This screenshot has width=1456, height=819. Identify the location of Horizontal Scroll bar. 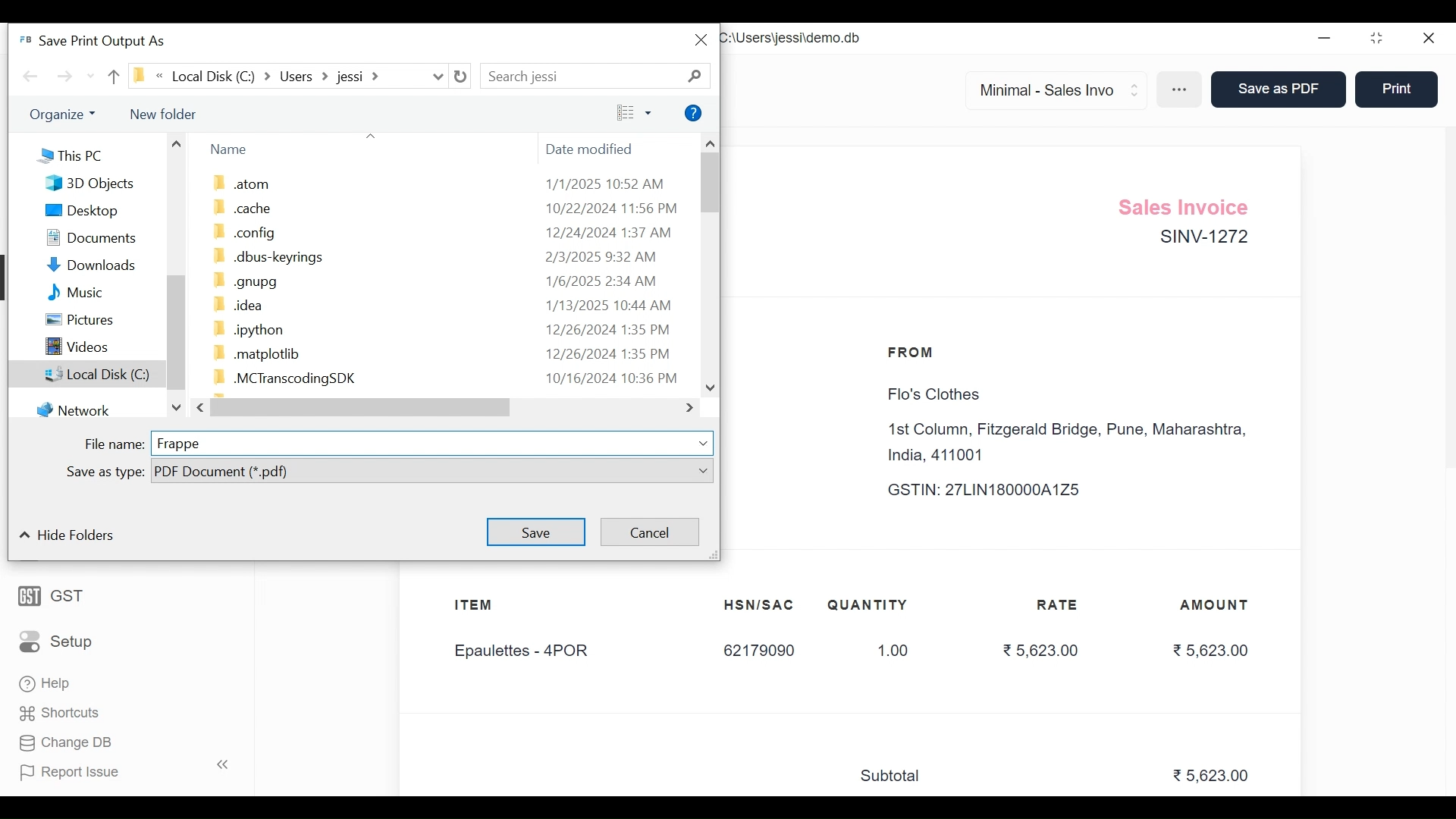
(362, 408).